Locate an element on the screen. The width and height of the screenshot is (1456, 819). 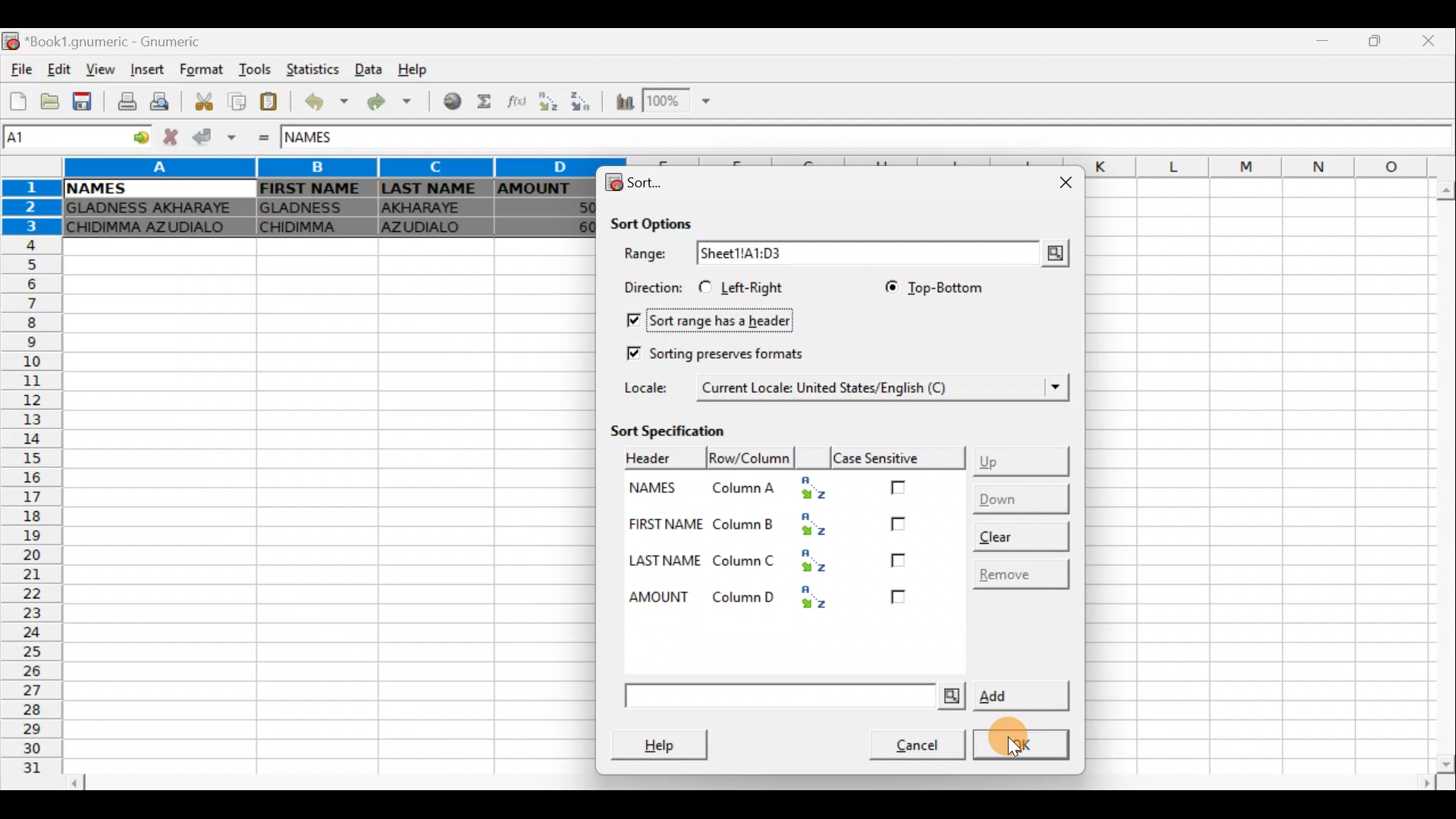
Checkbox is located at coordinates (901, 601).